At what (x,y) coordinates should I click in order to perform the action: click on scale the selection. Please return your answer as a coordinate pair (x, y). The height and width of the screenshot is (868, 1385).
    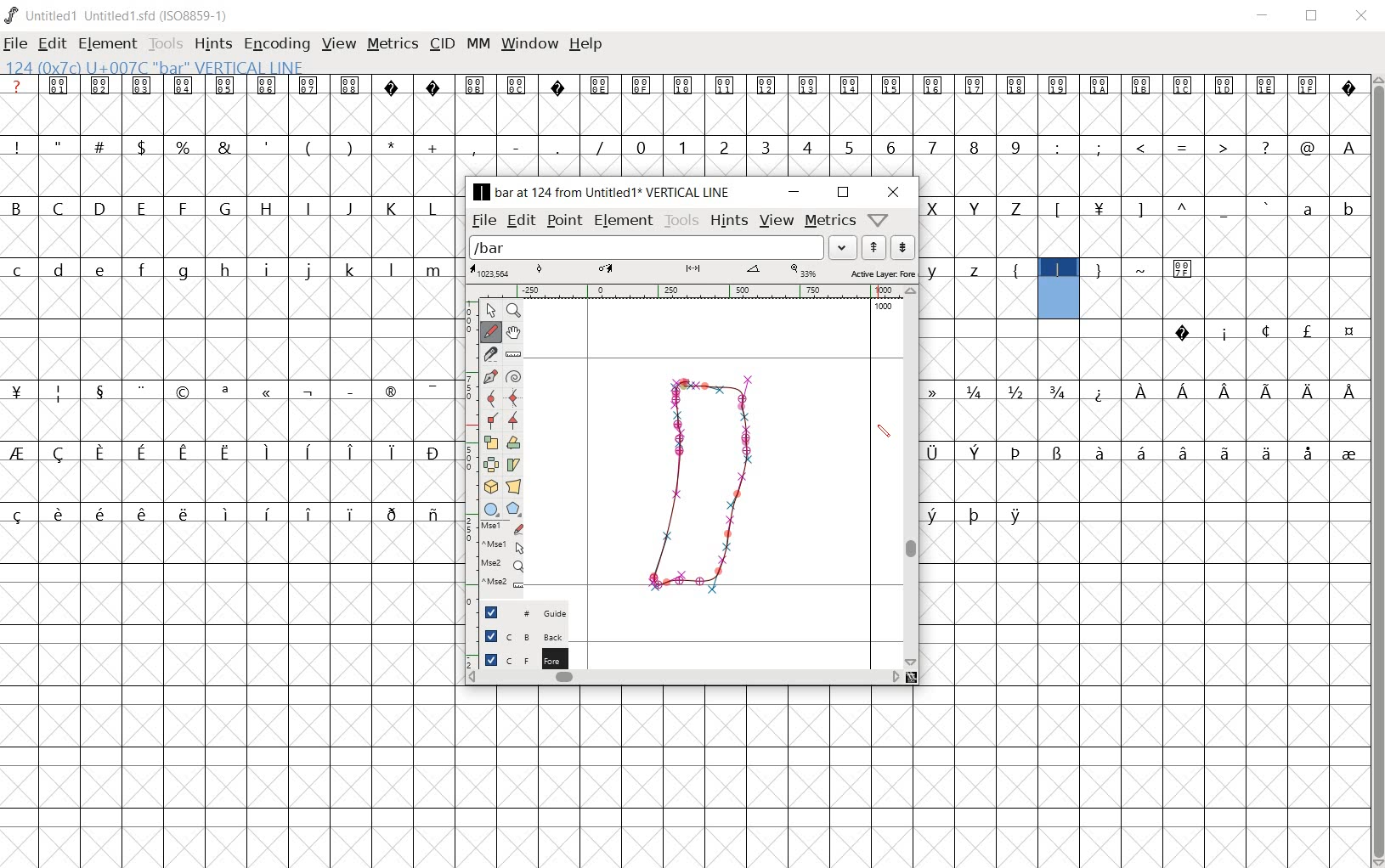
    Looking at the image, I should click on (489, 441).